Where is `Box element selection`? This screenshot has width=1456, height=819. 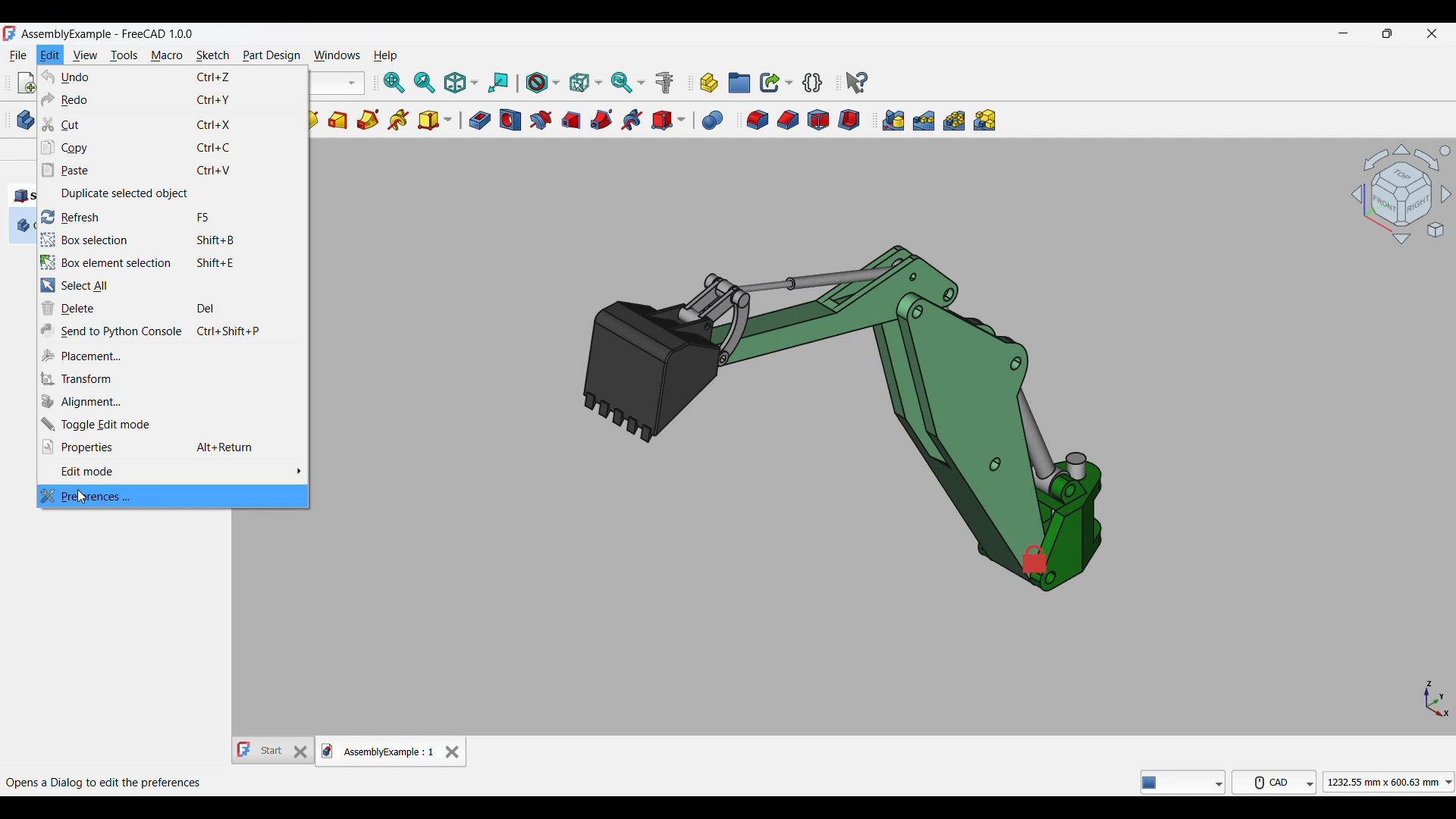
Box element selection is located at coordinates (171, 262).